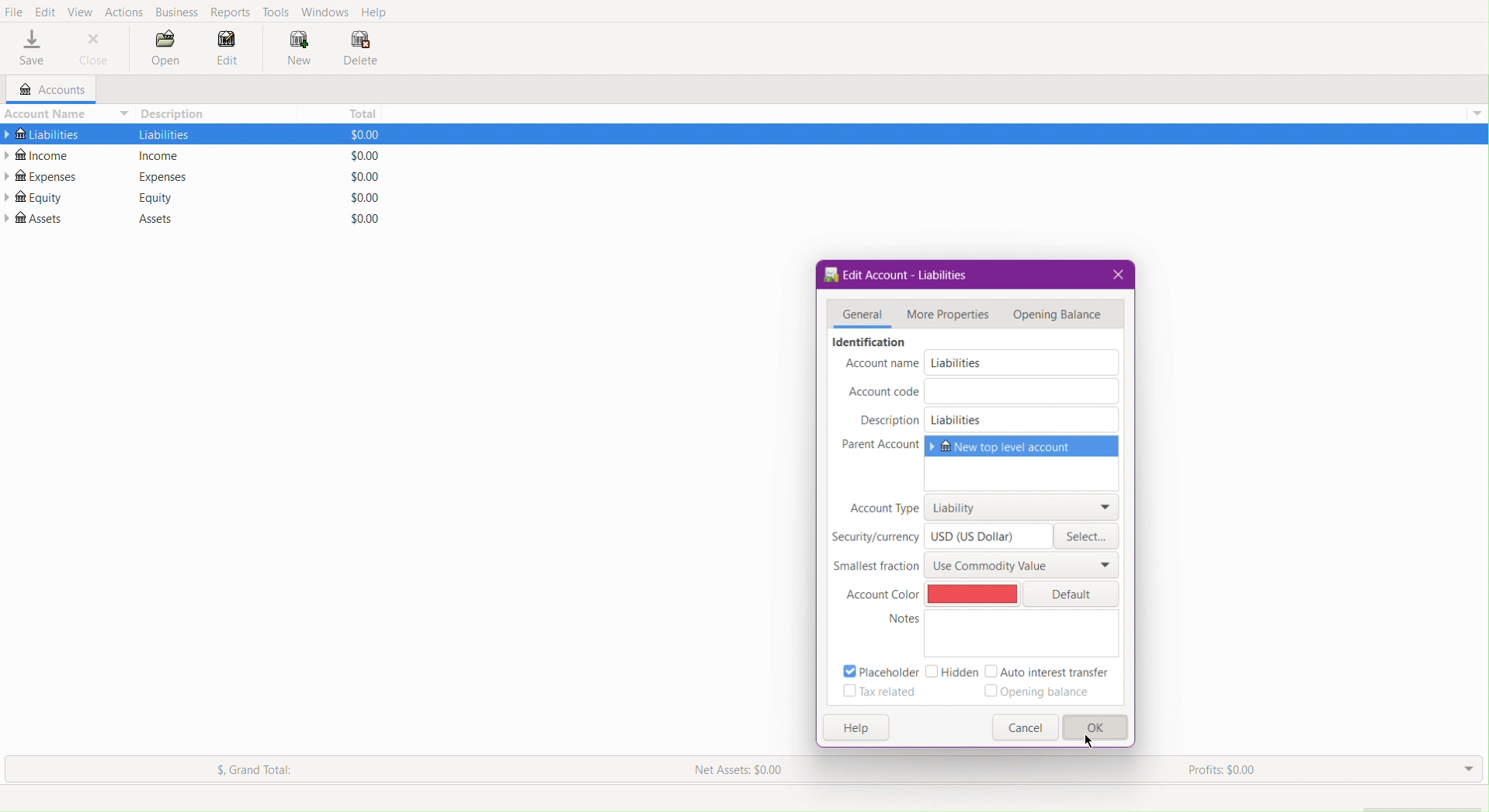 The height and width of the screenshot is (812, 1489). I want to click on Total, so click(359, 111).